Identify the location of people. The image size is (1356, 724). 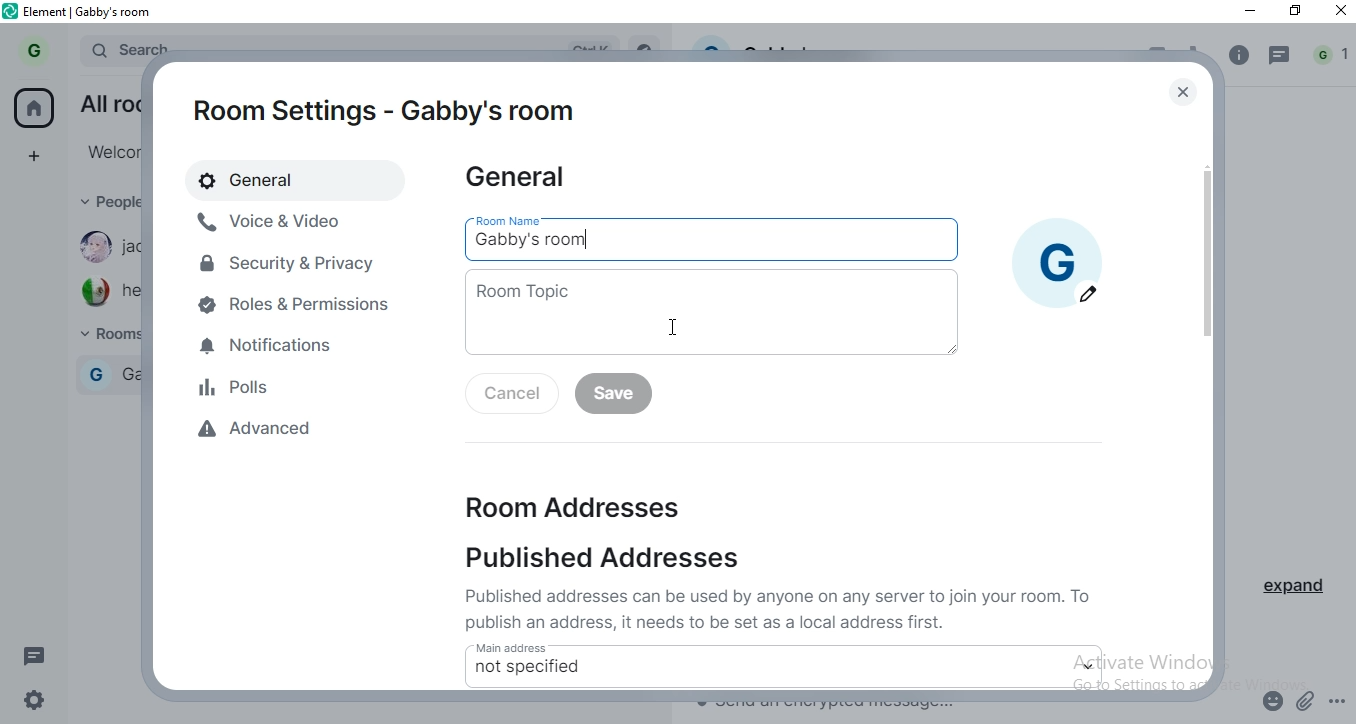
(106, 203).